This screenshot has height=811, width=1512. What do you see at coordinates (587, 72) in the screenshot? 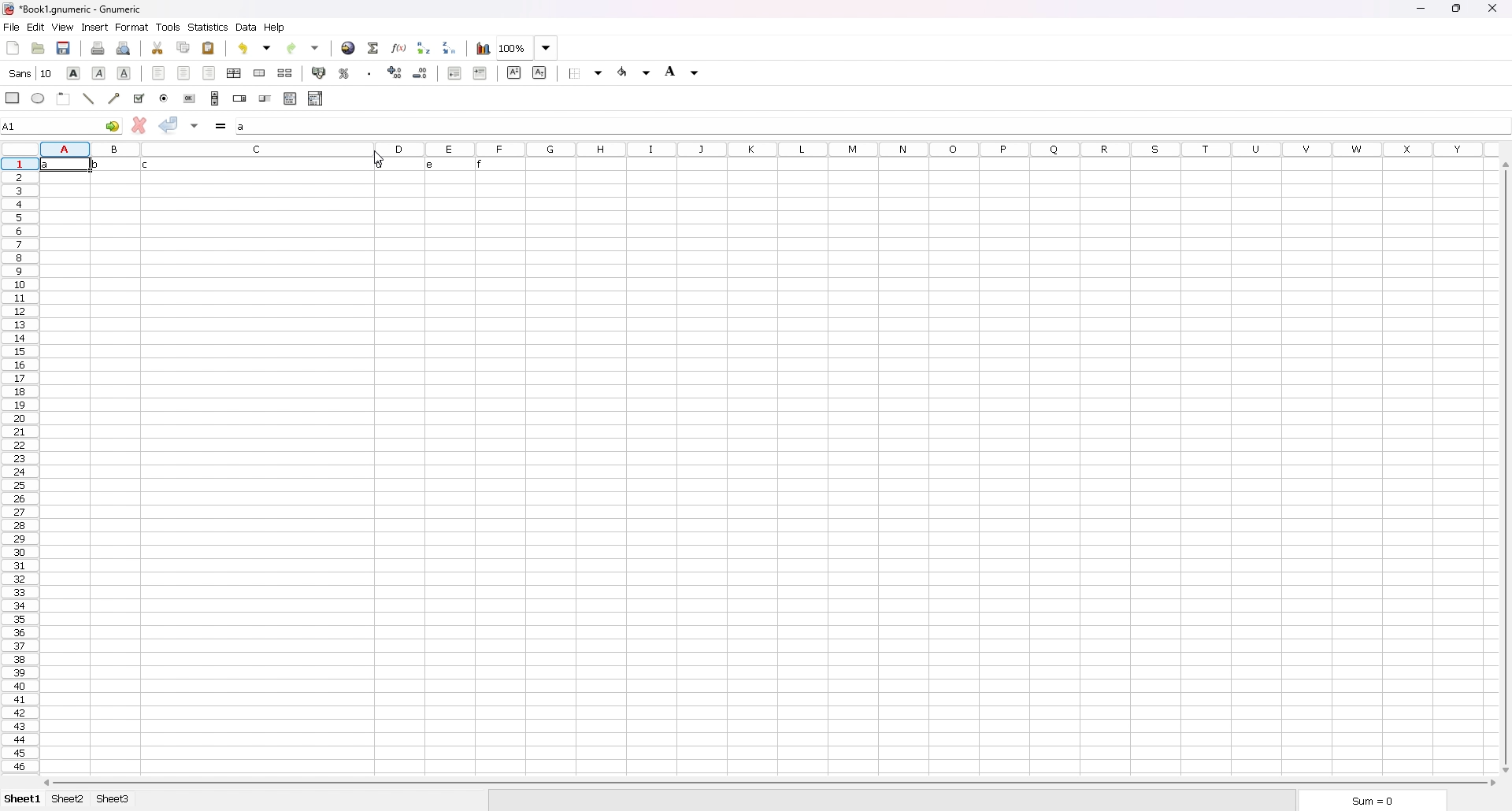
I see `border` at bounding box center [587, 72].